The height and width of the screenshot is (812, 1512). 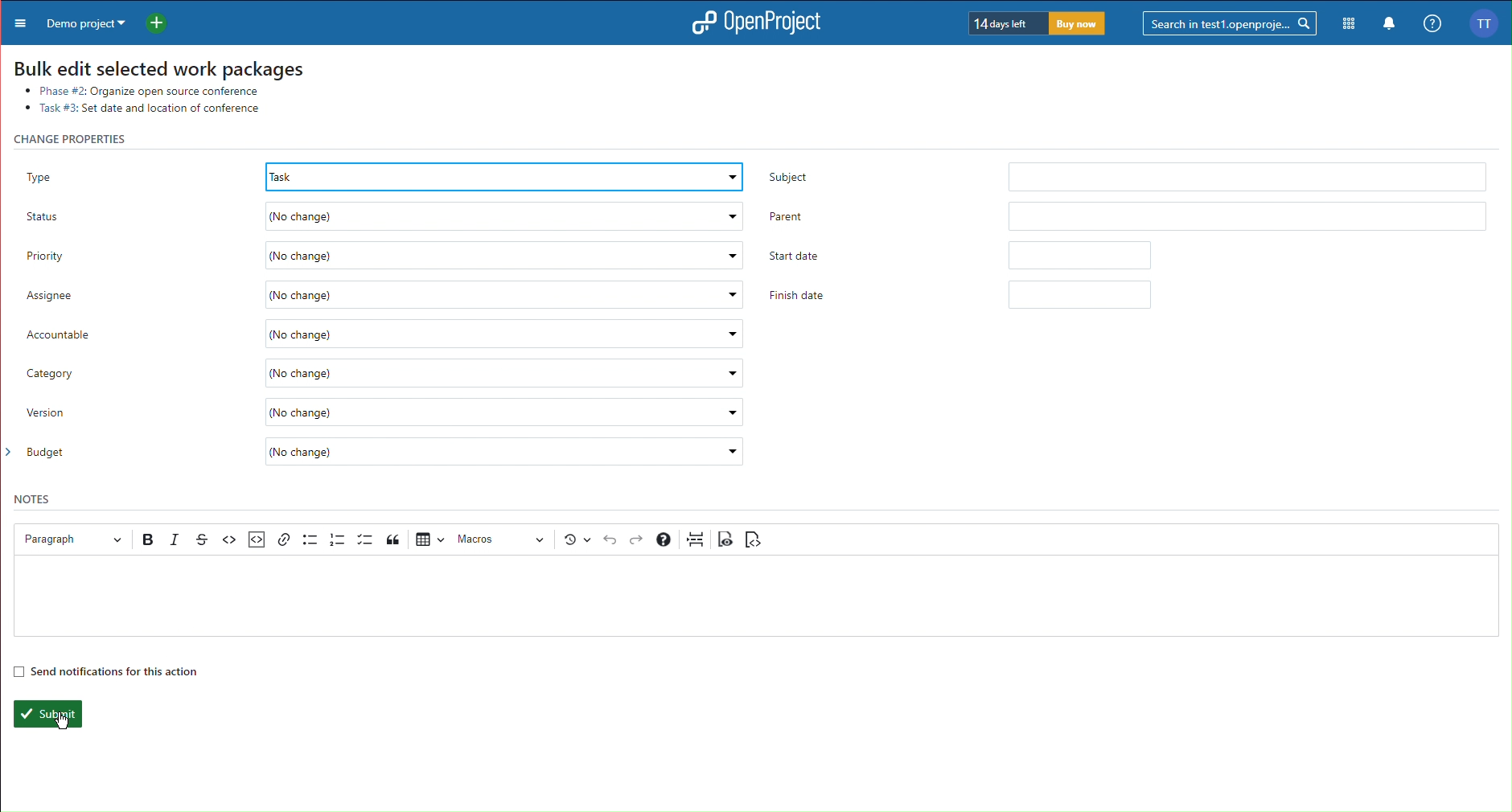 I want to click on Modules, so click(x=1350, y=24).